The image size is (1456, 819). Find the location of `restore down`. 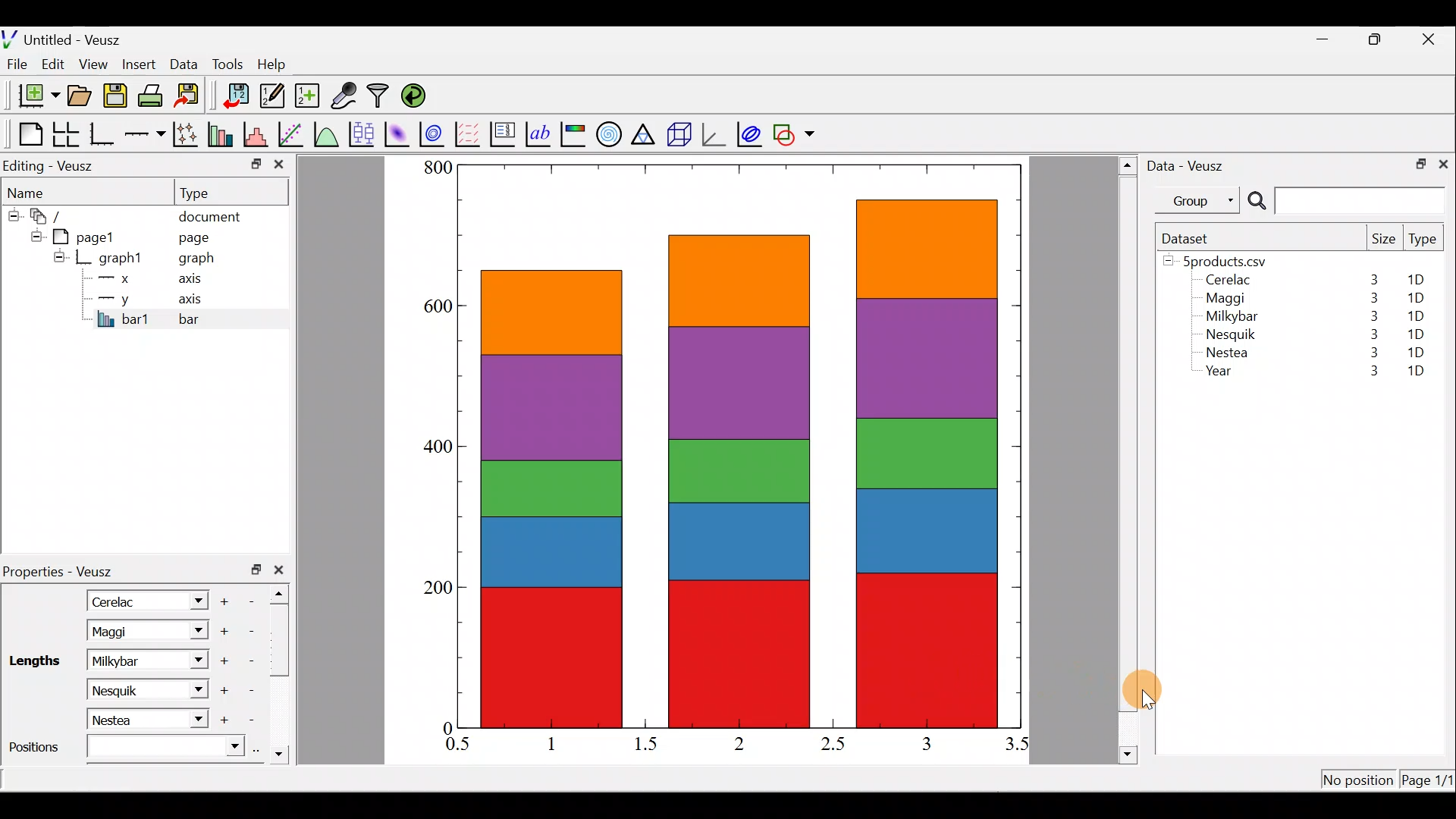

restore down is located at coordinates (256, 570).